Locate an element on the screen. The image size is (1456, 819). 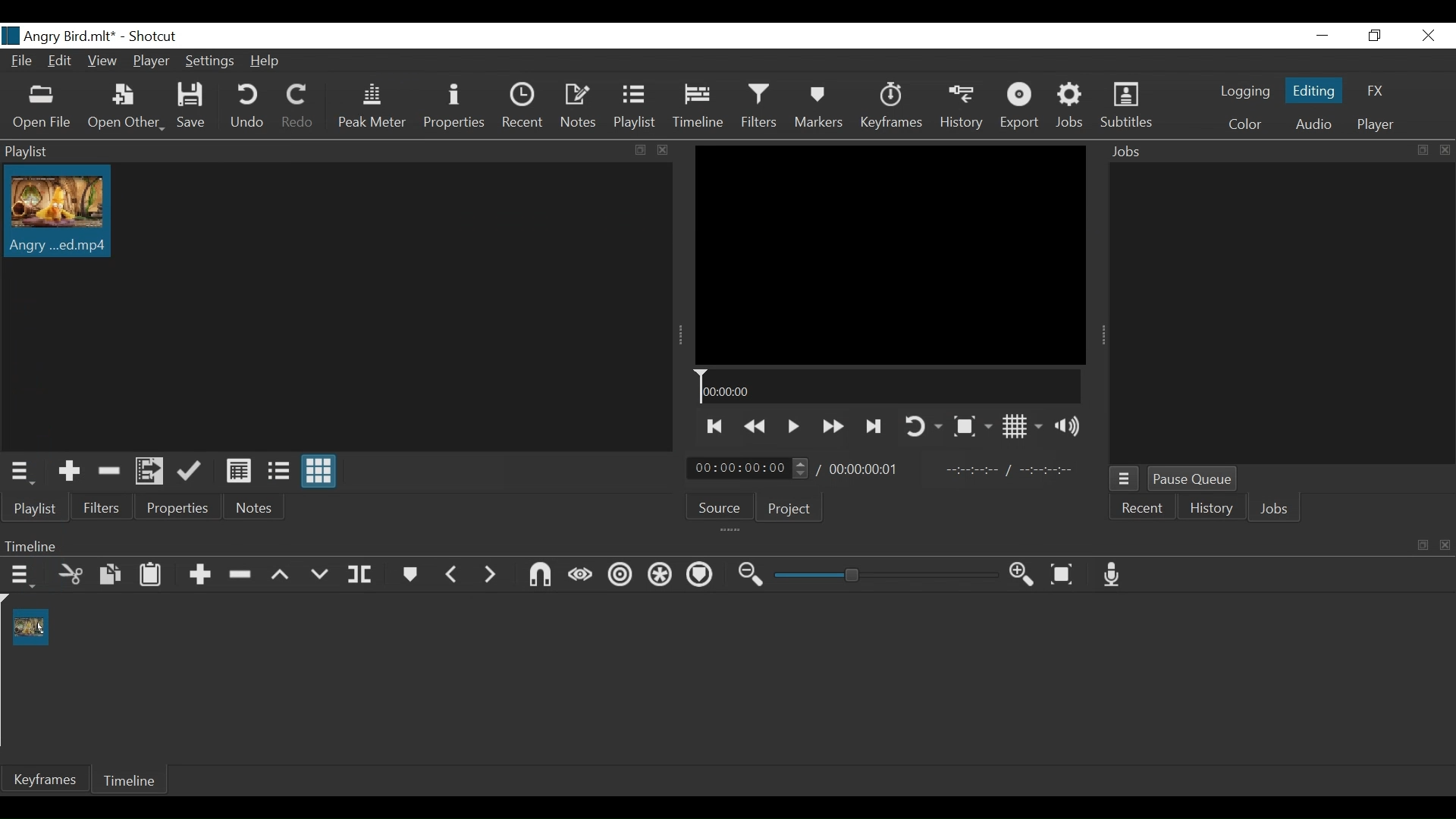
Undo is located at coordinates (246, 106).